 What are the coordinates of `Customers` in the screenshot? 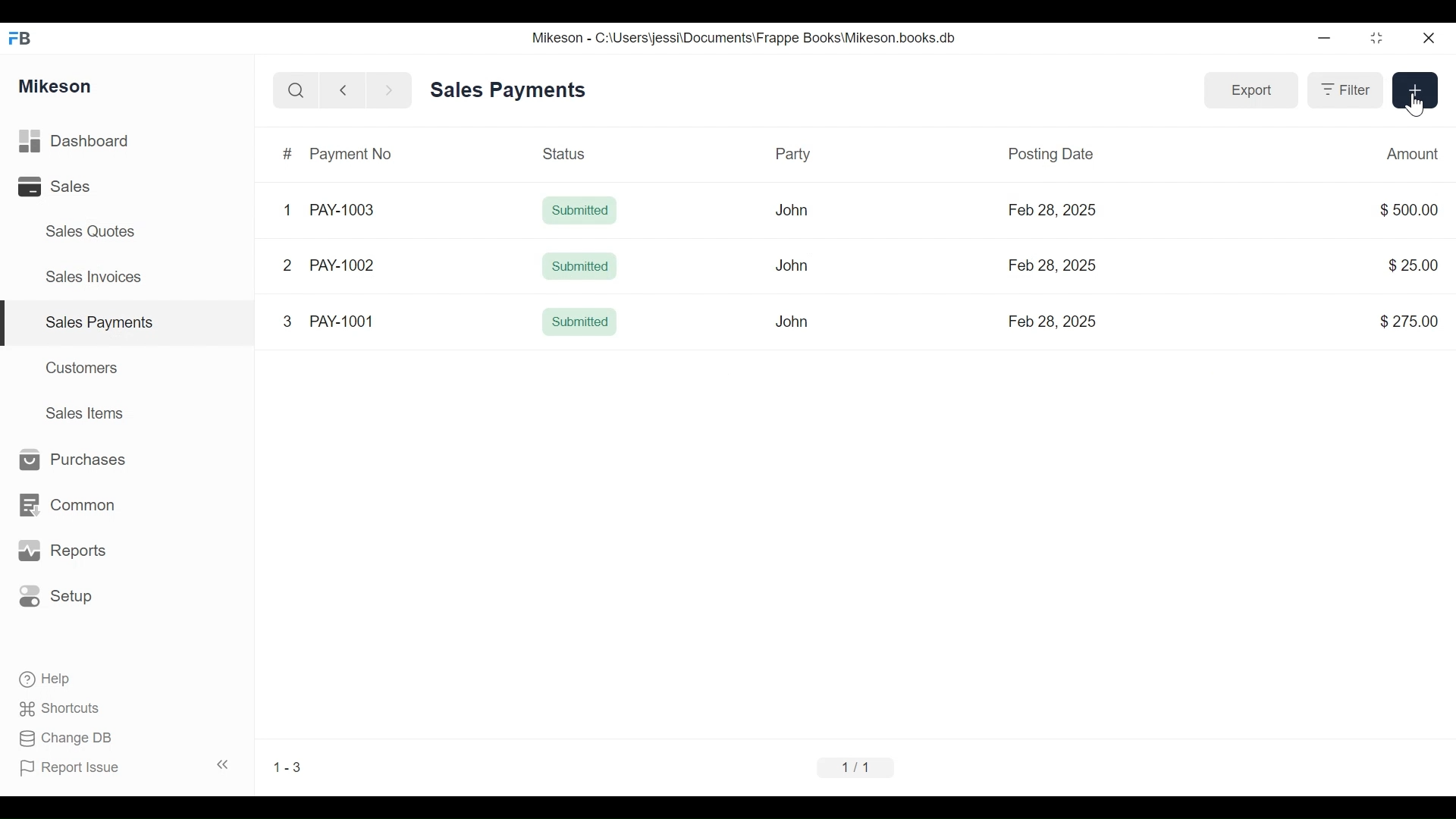 It's located at (86, 366).